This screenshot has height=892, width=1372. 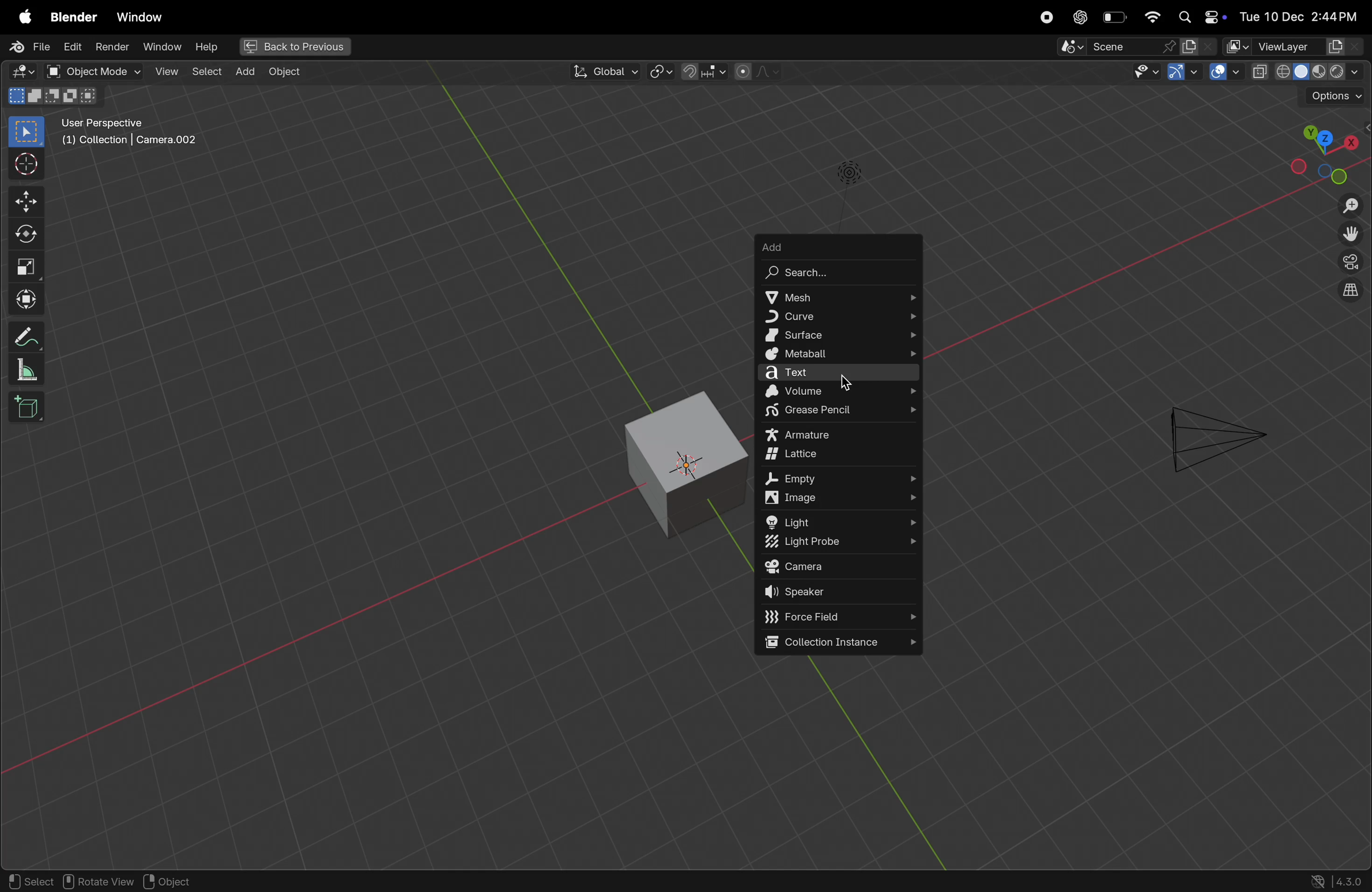 What do you see at coordinates (1077, 17) in the screenshot?
I see `chatgpt` at bounding box center [1077, 17].